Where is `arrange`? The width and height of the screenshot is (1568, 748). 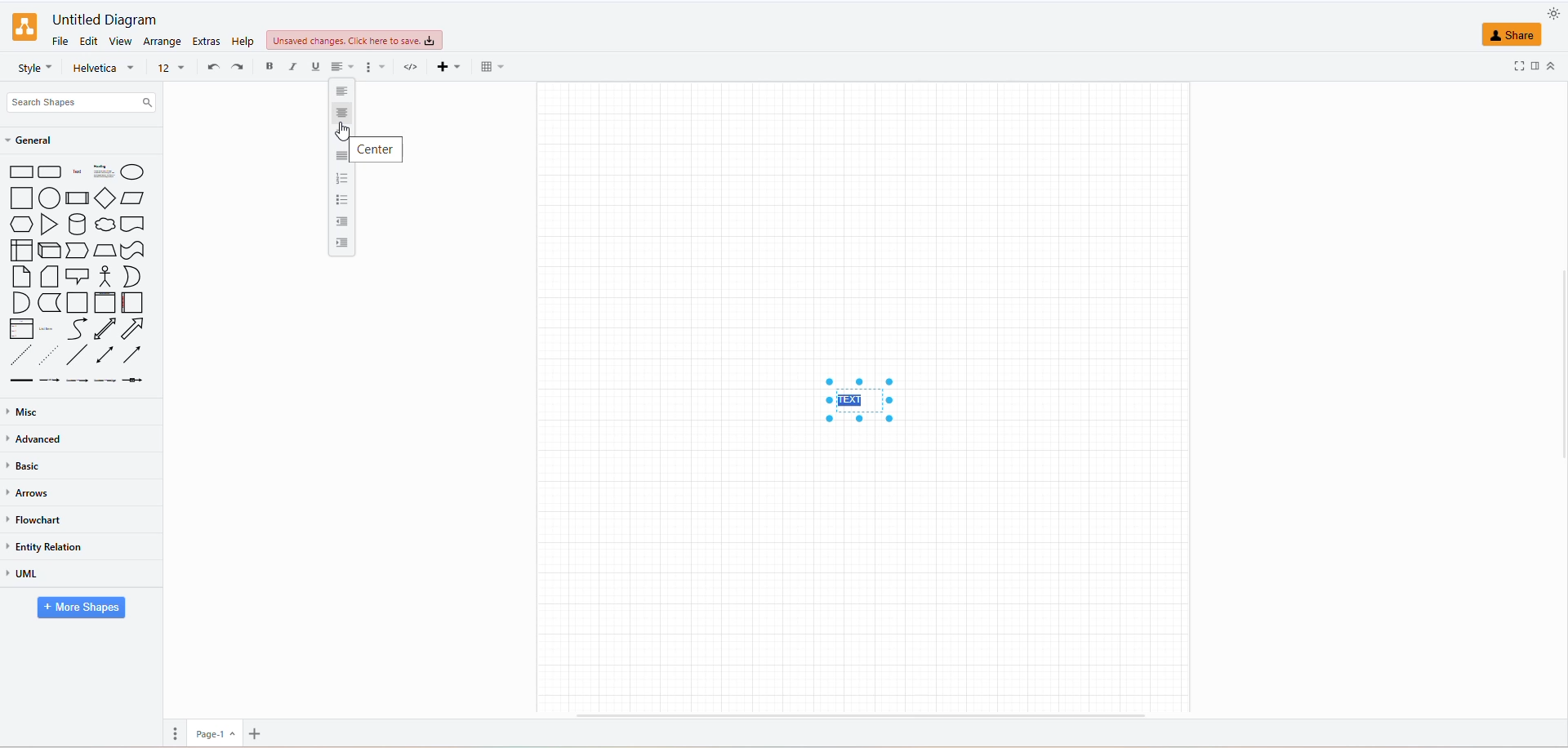 arrange is located at coordinates (164, 41).